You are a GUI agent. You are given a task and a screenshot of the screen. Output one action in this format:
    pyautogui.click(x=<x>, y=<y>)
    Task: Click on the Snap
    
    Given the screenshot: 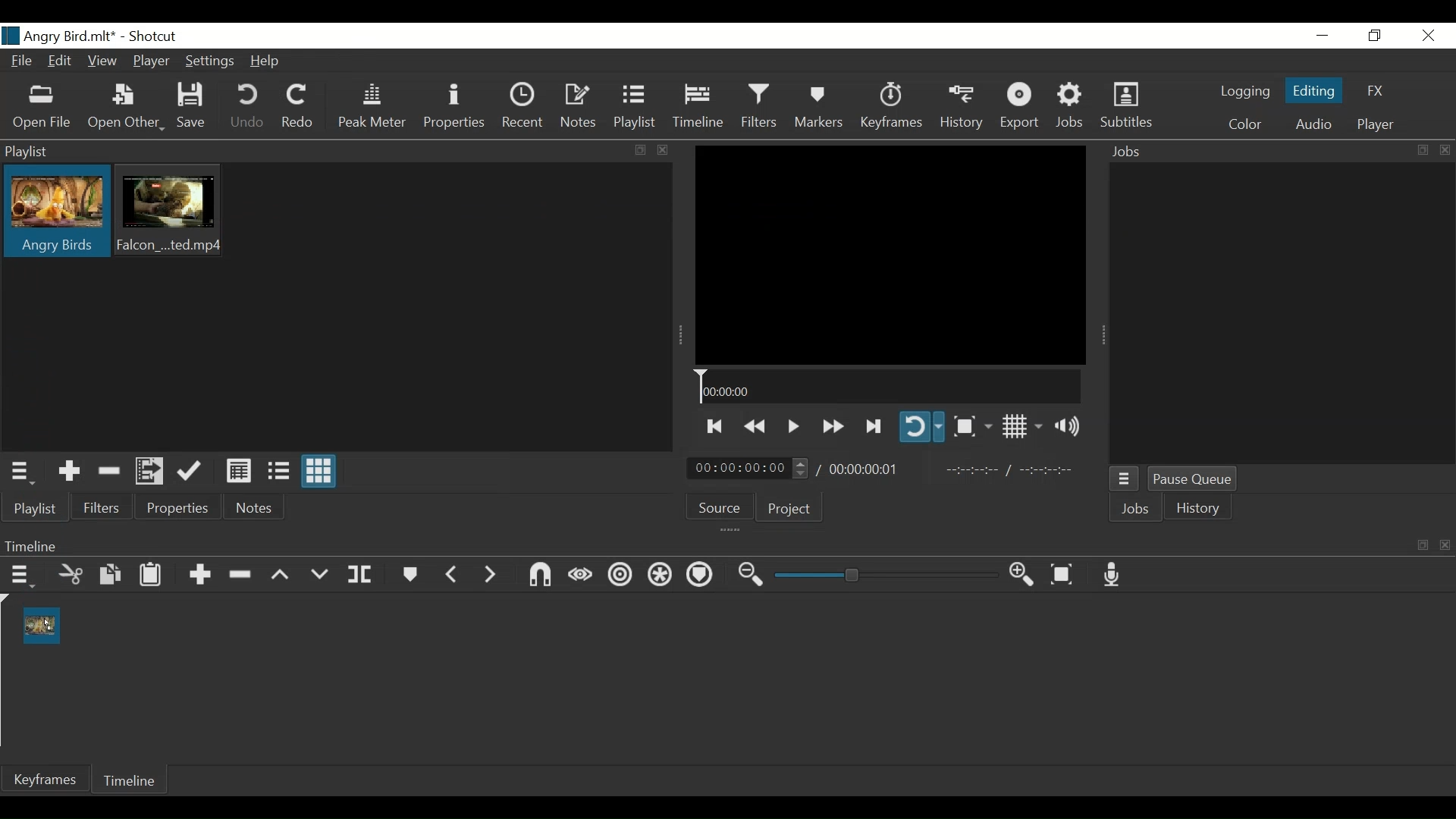 What is the action you would take?
    pyautogui.click(x=538, y=576)
    